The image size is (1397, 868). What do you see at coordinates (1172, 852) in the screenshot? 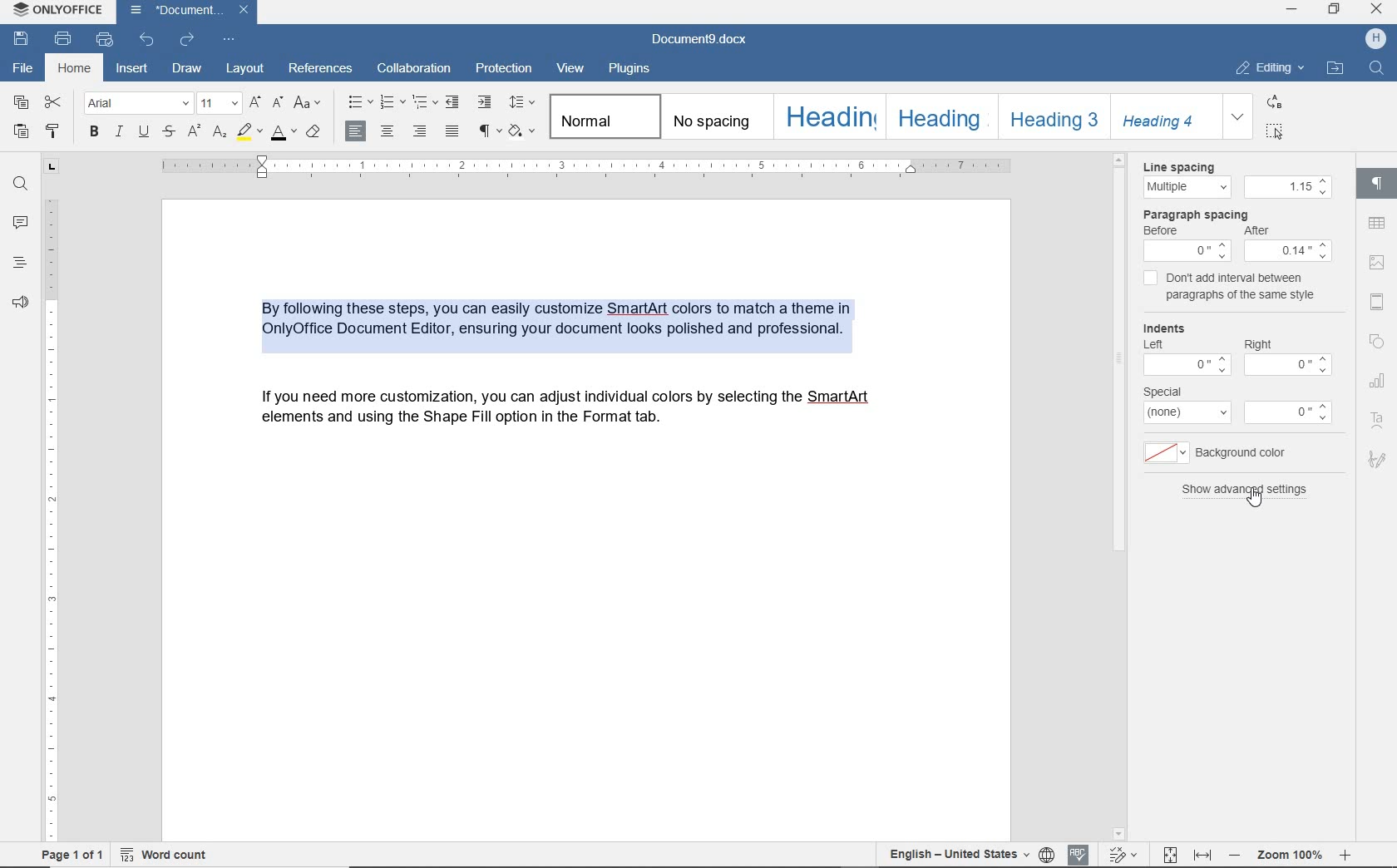
I see `fit to page` at bounding box center [1172, 852].